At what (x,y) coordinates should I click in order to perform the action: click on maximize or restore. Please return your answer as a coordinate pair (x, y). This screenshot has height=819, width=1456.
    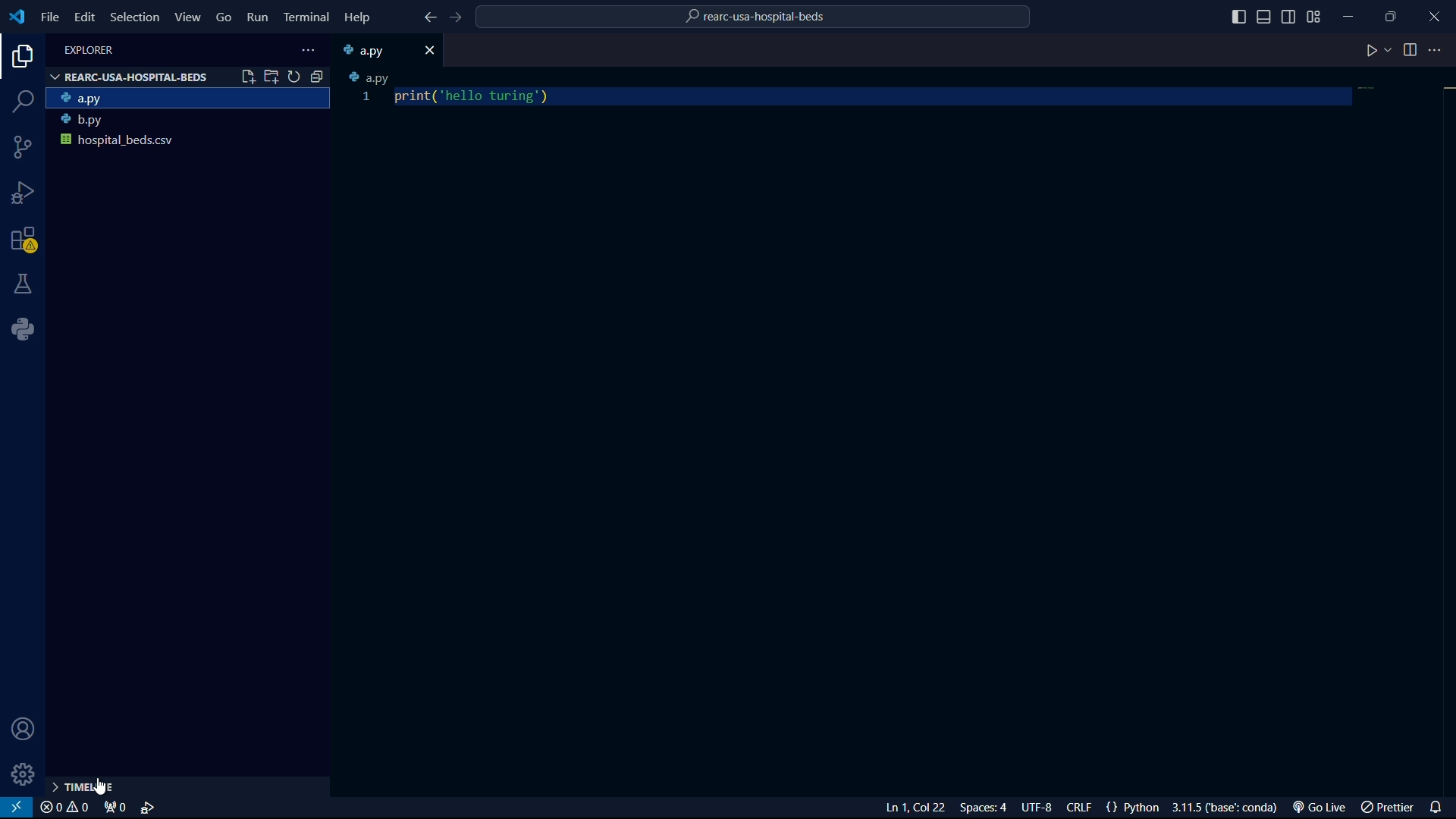
    Looking at the image, I should click on (1390, 14).